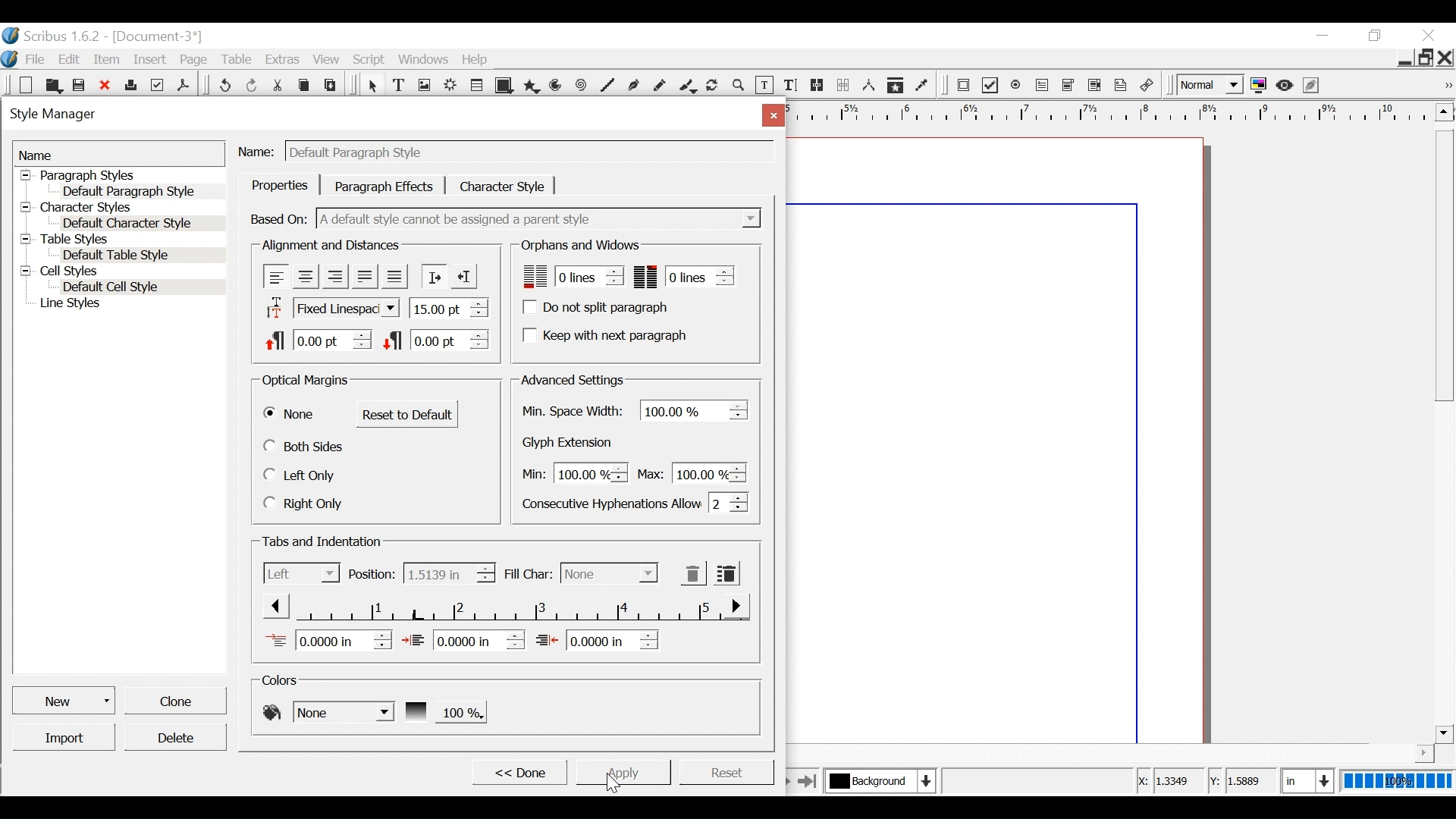 The height and width of the screenshot is (819, 1456). Describe the element at coordinates (1286, 85) in the screenshot. I see `Preview mode` at that location.